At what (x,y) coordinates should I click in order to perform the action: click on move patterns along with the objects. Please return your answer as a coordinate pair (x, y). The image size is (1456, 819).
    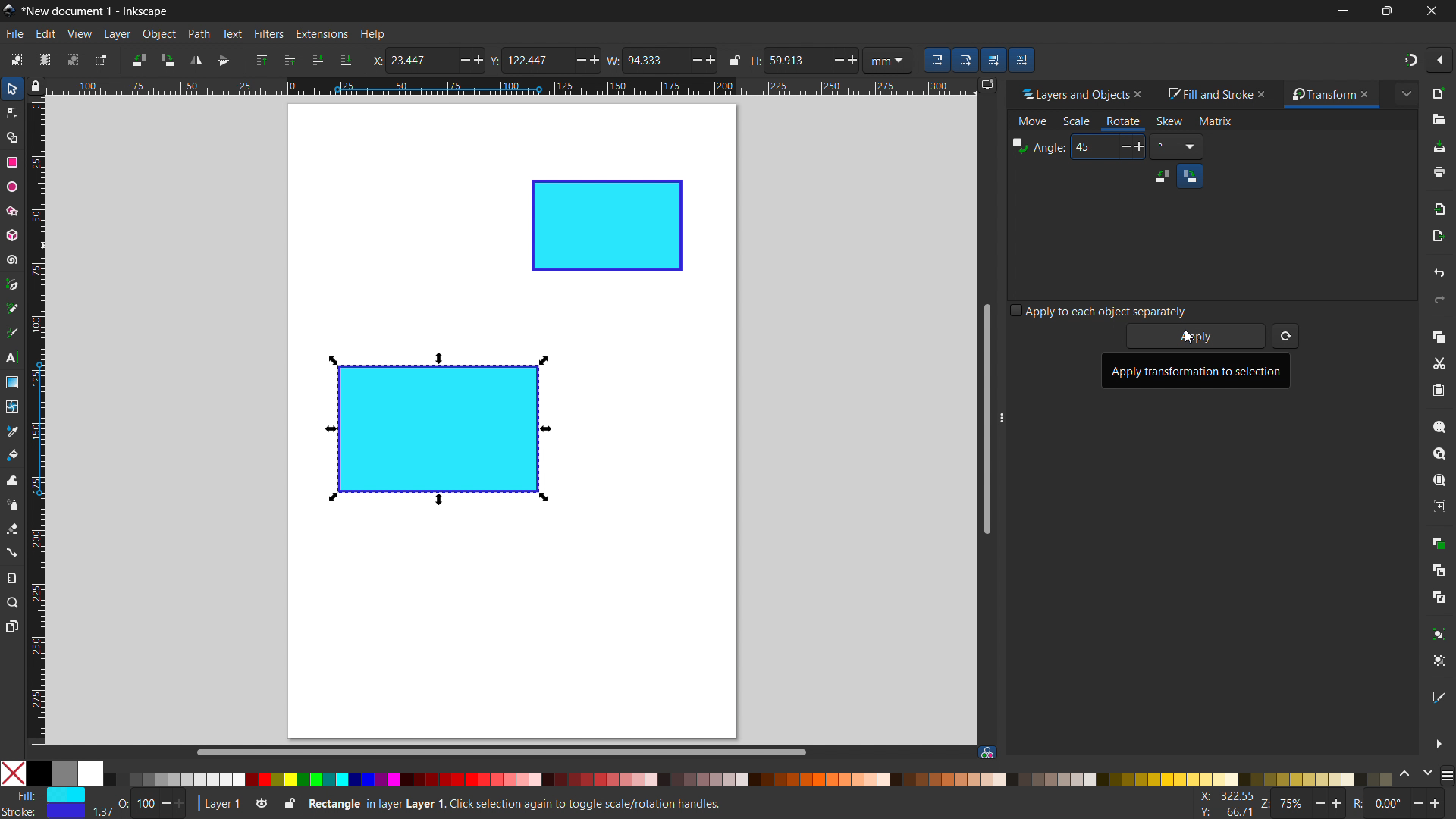
    Looking at the image, I should click on (1021, 59).